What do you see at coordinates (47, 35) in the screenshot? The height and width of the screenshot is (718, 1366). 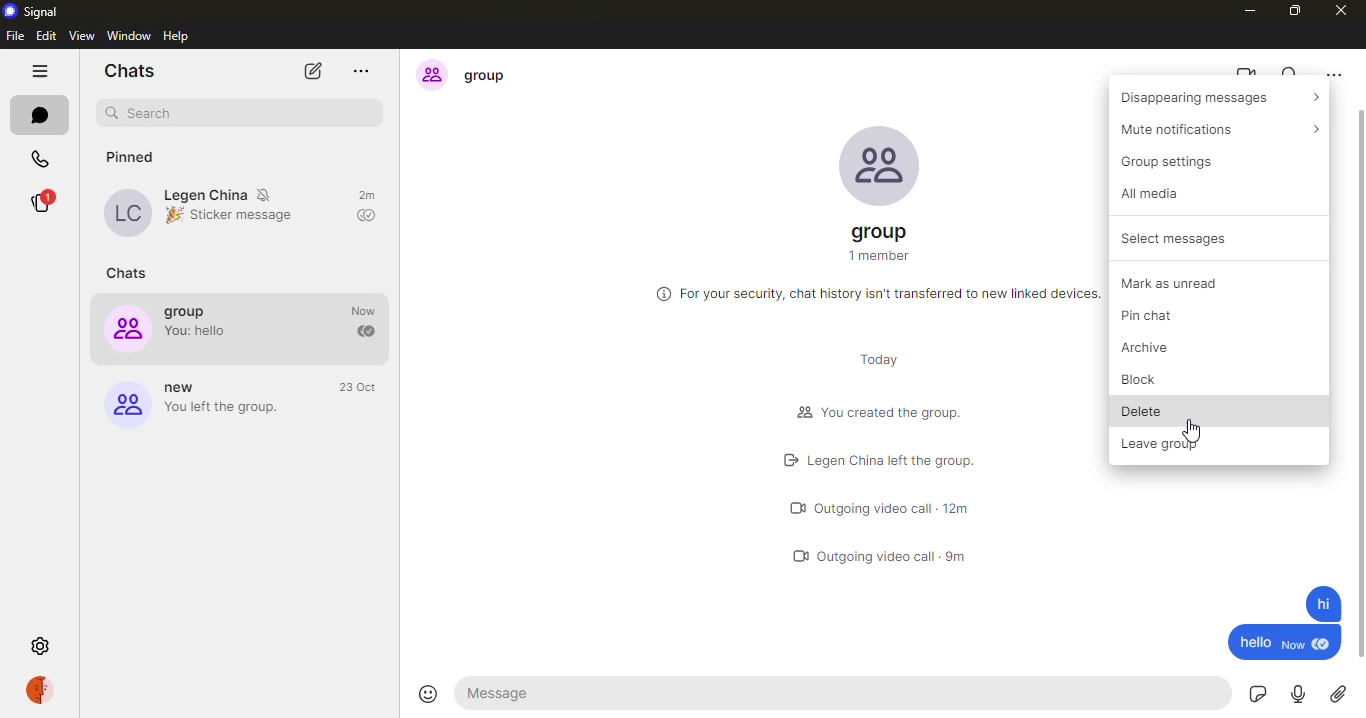 I see `edit` at bounding box center [47, 35].